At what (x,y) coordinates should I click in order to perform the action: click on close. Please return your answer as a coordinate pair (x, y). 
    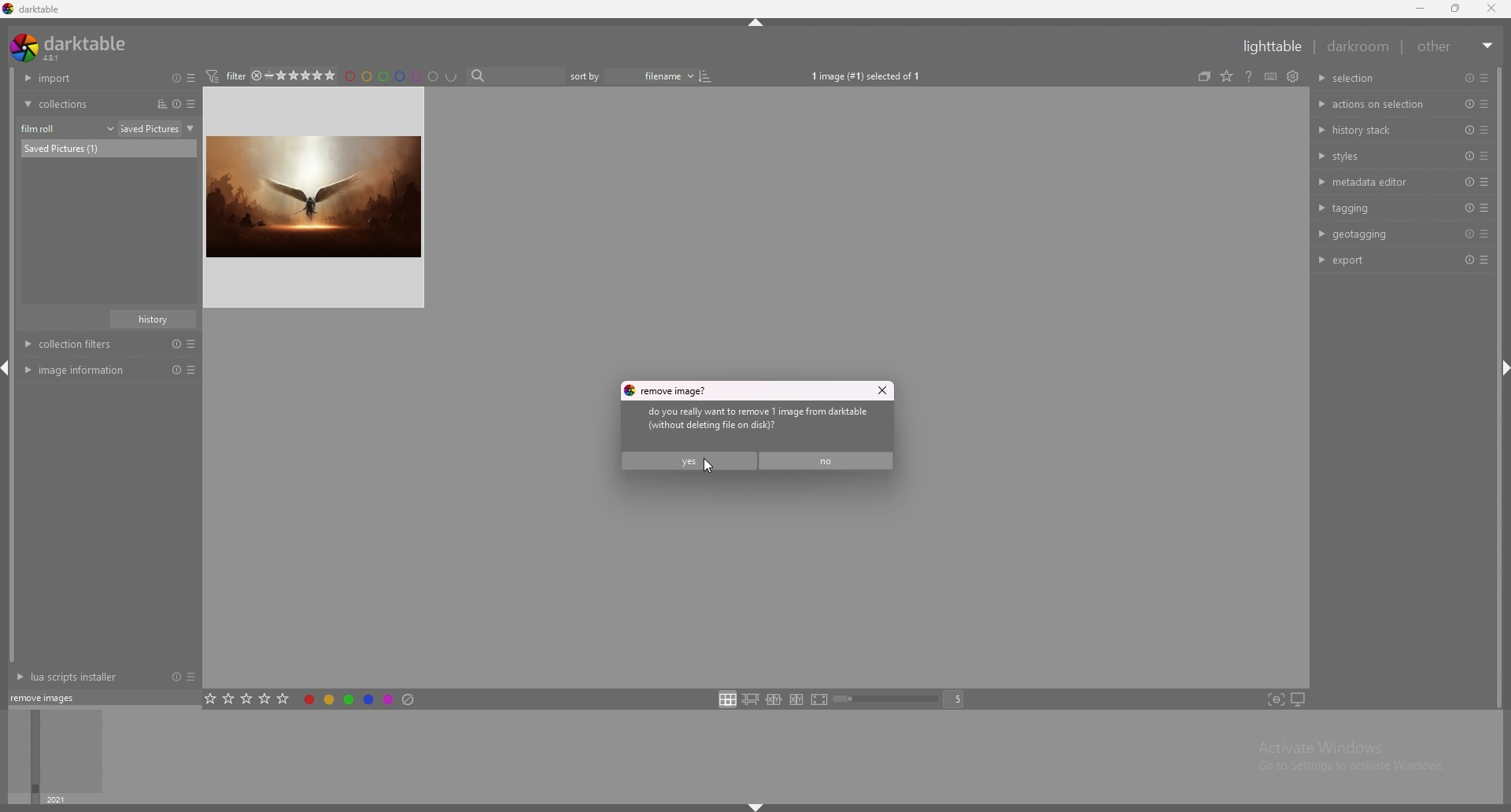
    Looking at the image, I should click on (881, 391).